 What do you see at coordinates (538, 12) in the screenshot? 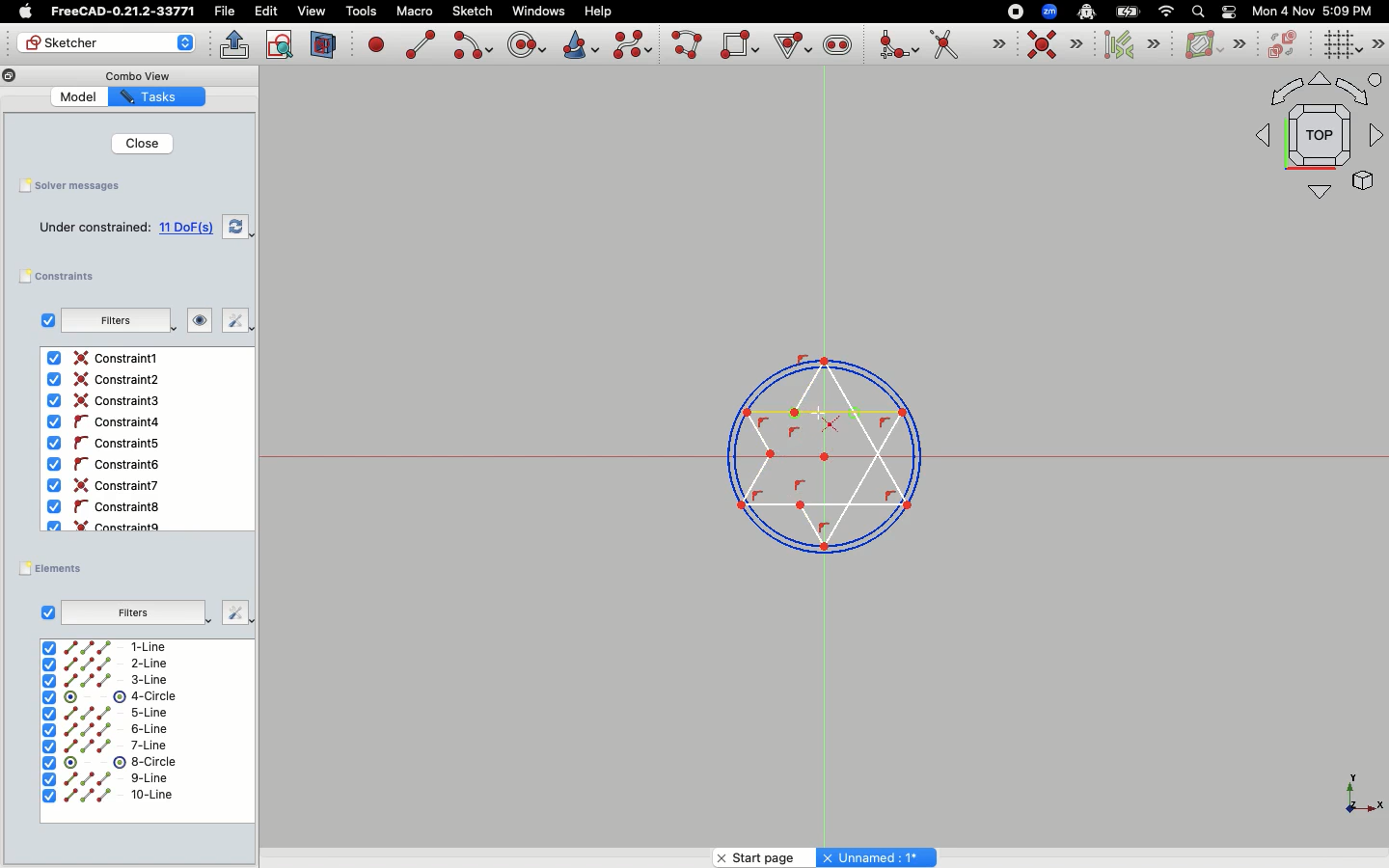
I see `Windows` at bounding box center [538, 12].